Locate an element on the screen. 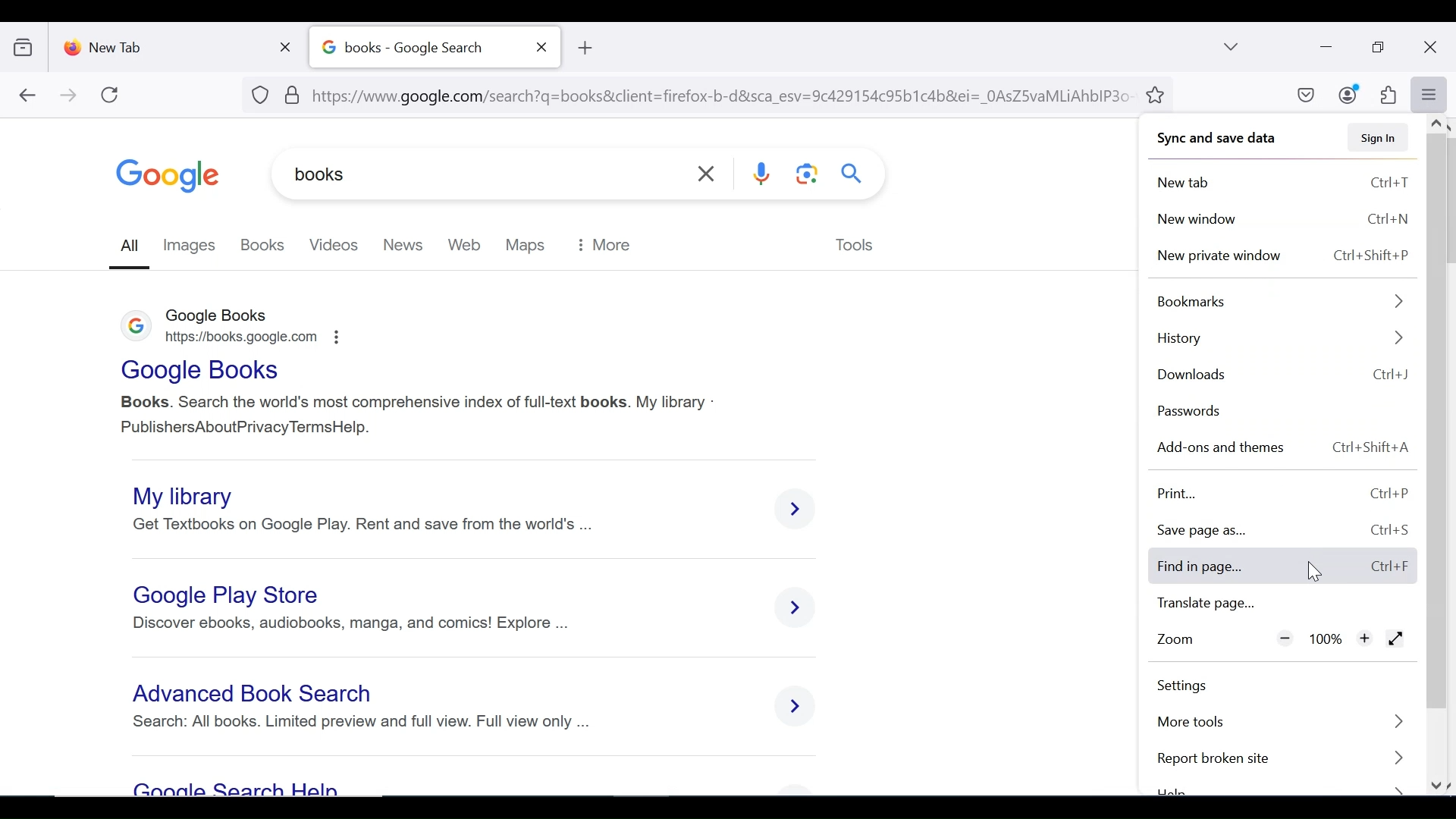 This screenshot has width=1456, height=819. list all tabs is located at coordinates (1232, 46).